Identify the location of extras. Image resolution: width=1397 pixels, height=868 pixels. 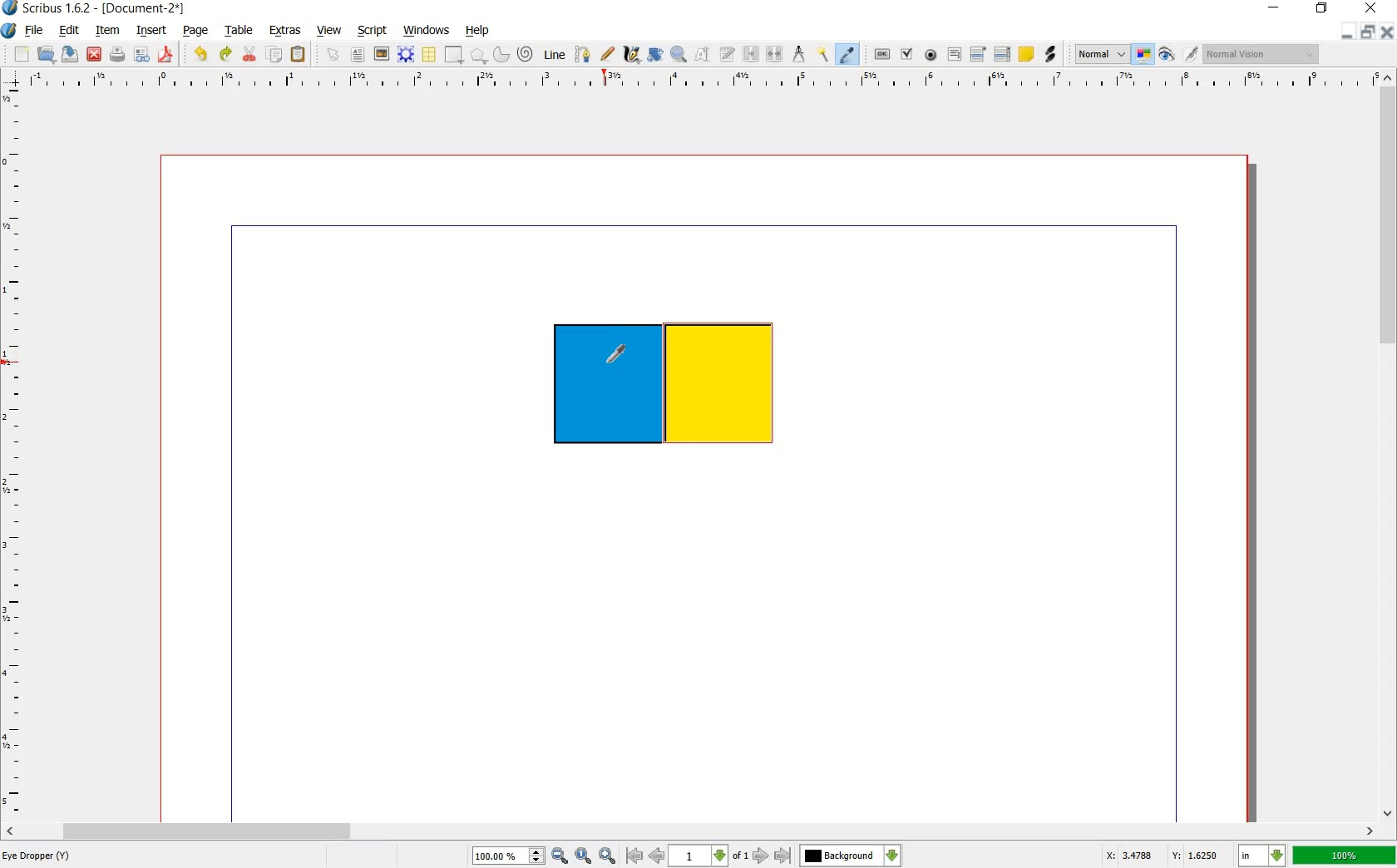
(285, 31).